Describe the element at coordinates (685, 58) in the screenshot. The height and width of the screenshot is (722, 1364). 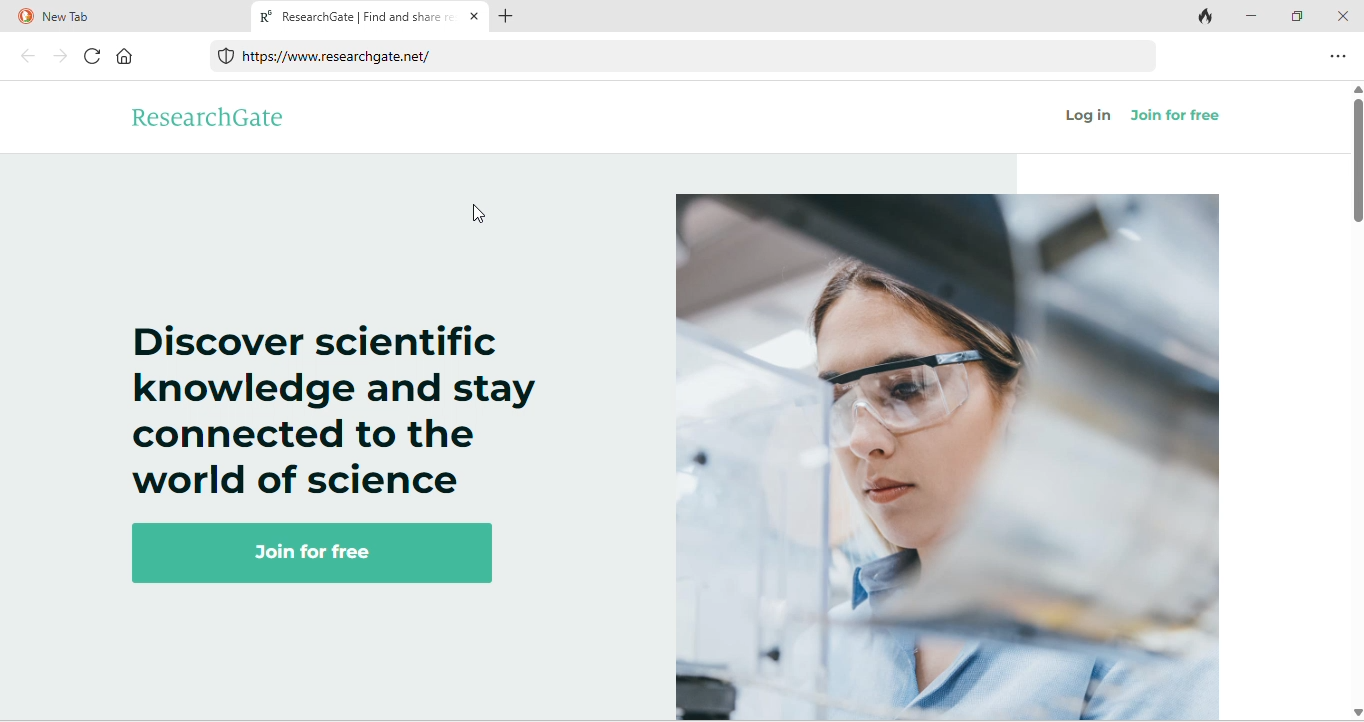
I see `search bar` at that location.